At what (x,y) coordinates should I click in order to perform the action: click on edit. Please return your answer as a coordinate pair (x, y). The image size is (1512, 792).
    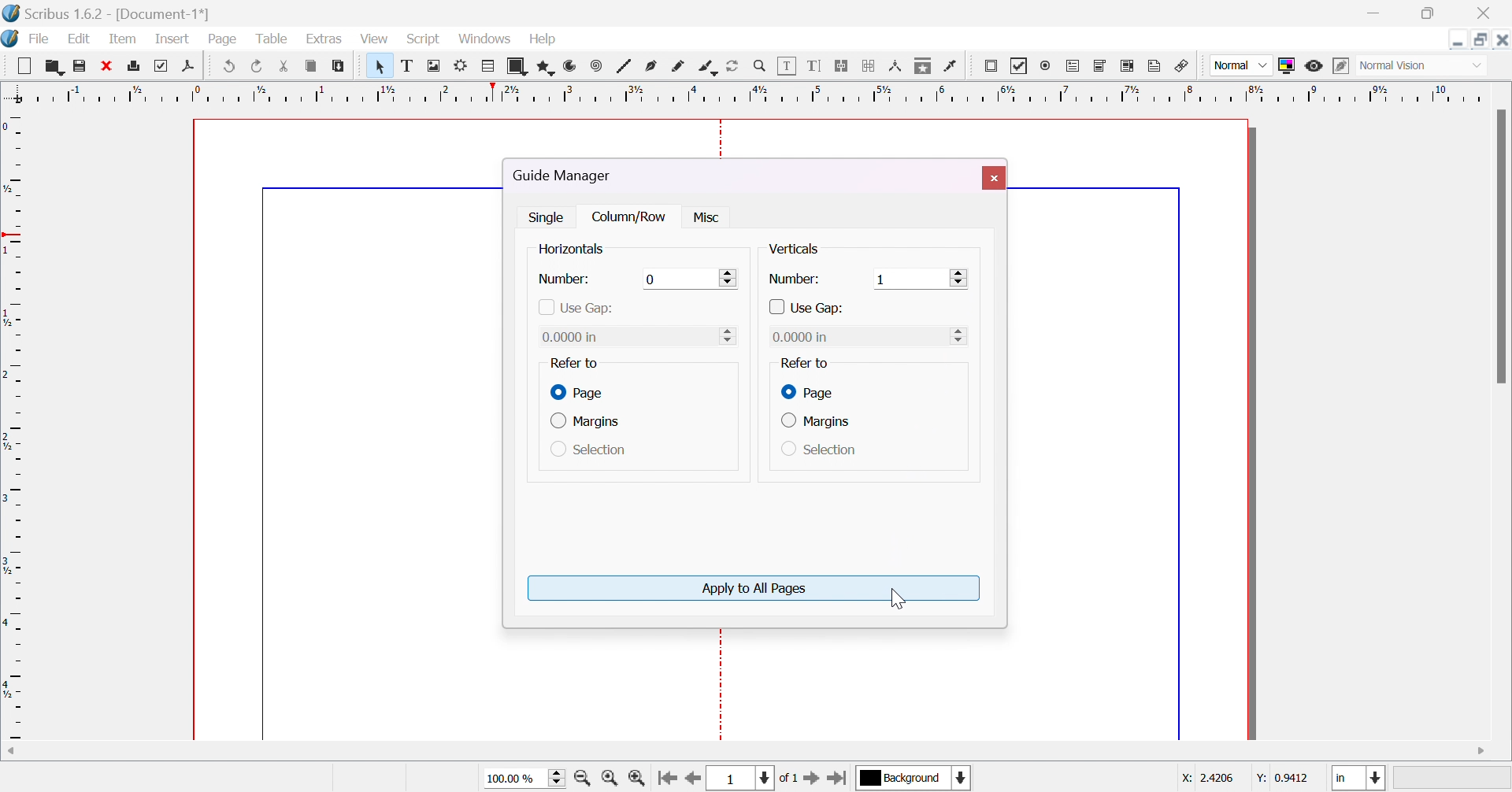
    Looking at the image, I should click on (79, 39).